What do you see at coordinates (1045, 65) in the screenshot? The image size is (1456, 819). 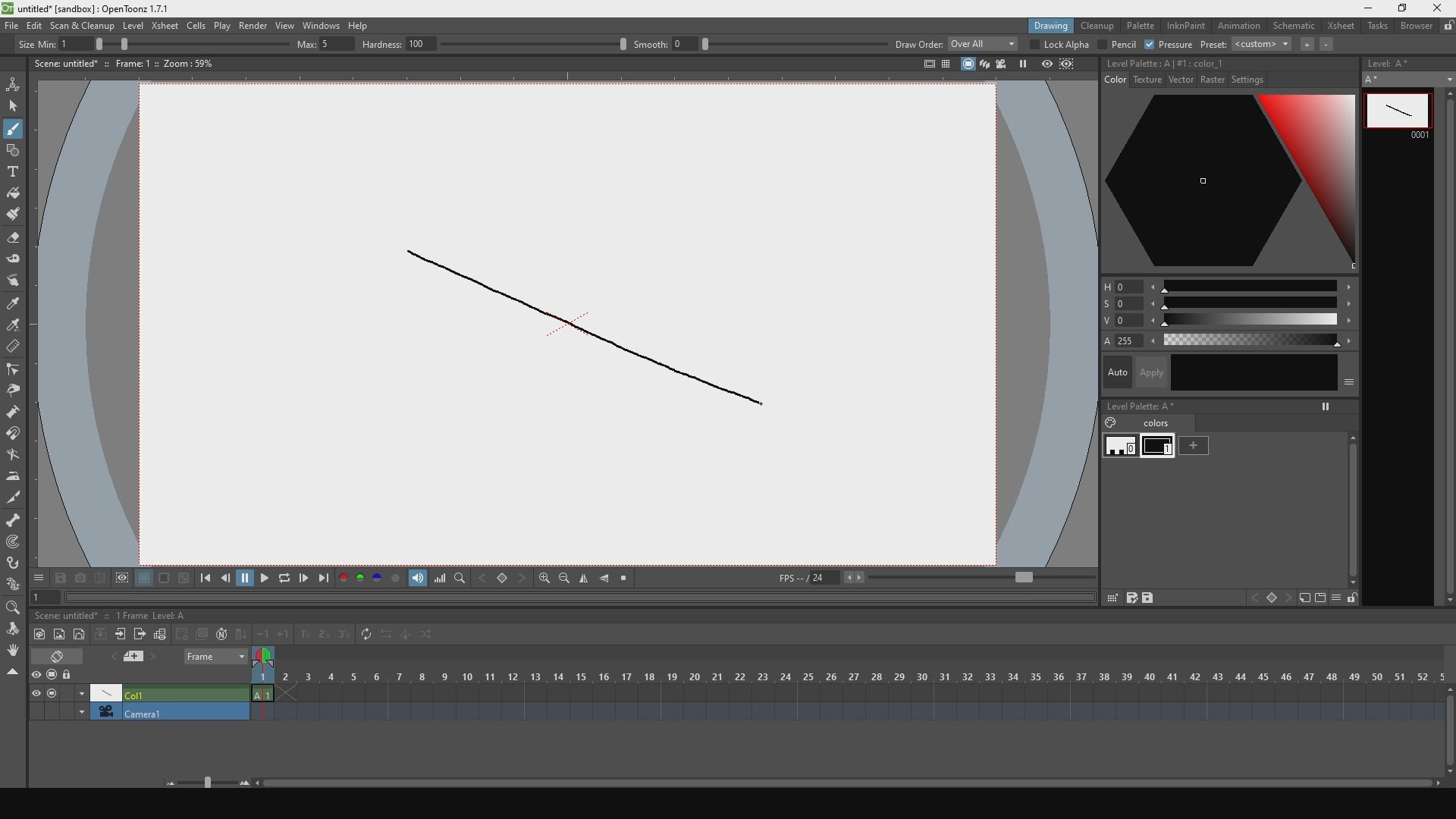 I see `preview` at bounding box center [1045, 65].